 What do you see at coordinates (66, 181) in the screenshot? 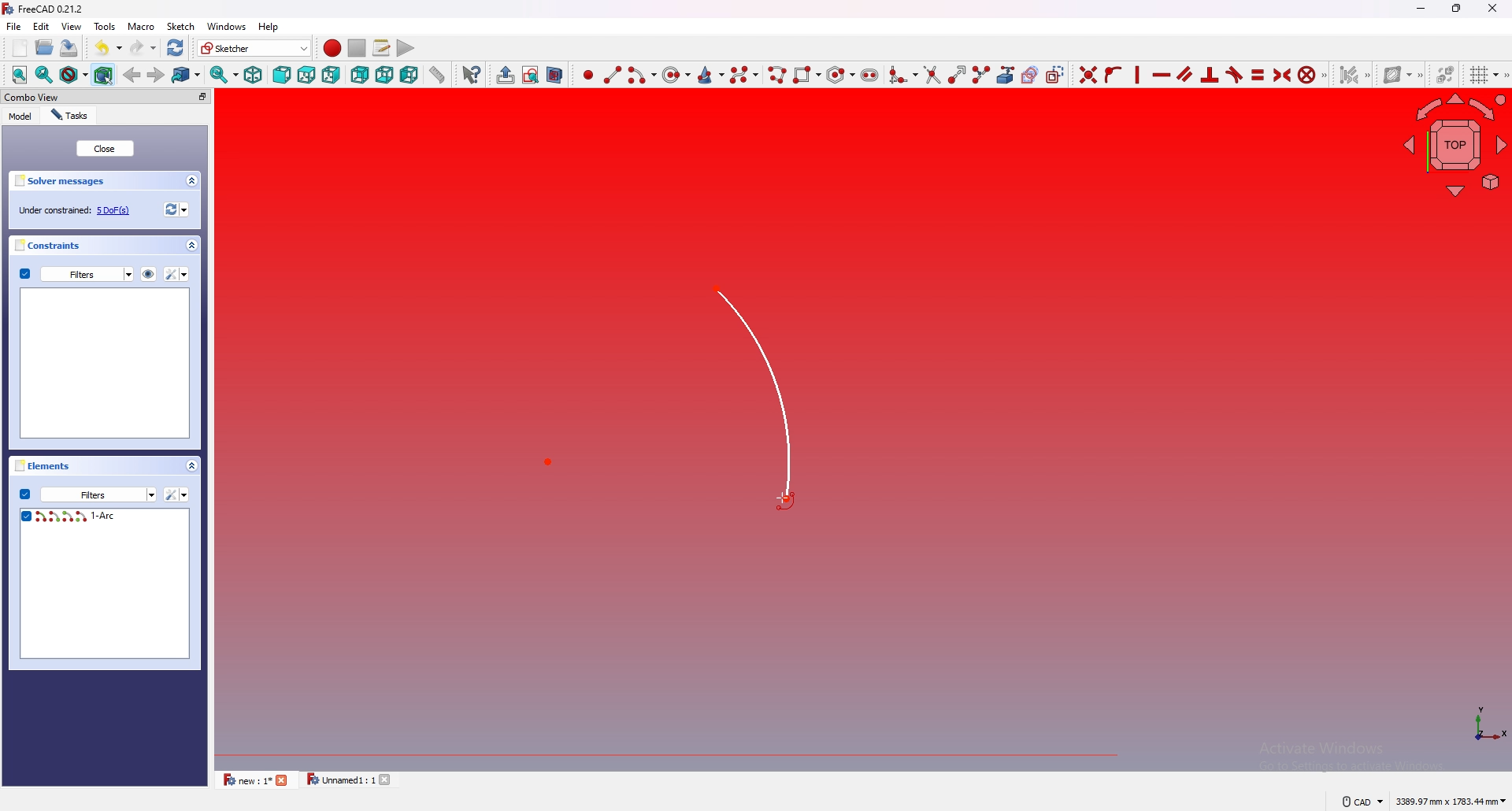
I see `solver messages` at bounding box center [66, 181].